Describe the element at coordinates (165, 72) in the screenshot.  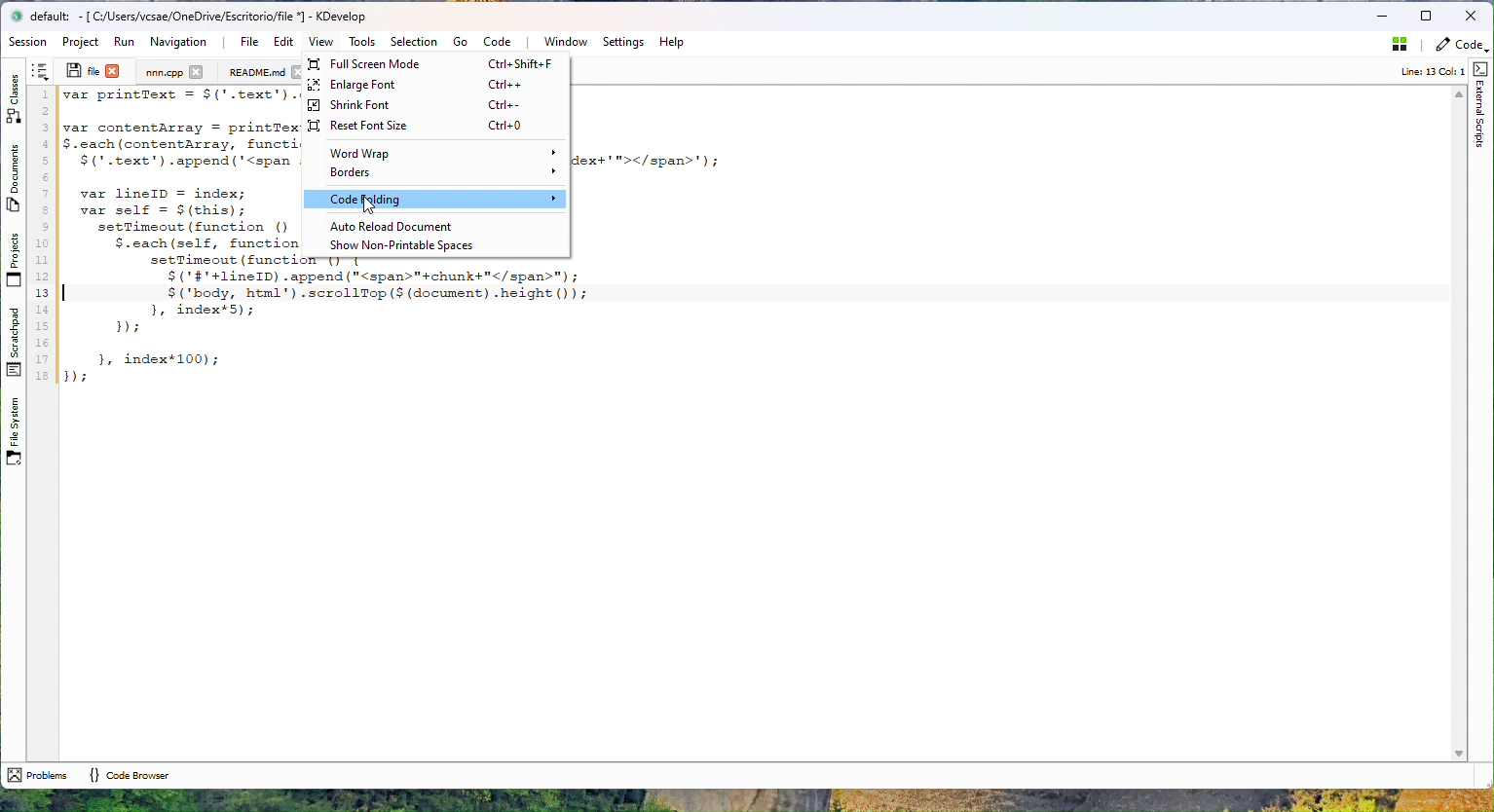
I see `Project` at that location.